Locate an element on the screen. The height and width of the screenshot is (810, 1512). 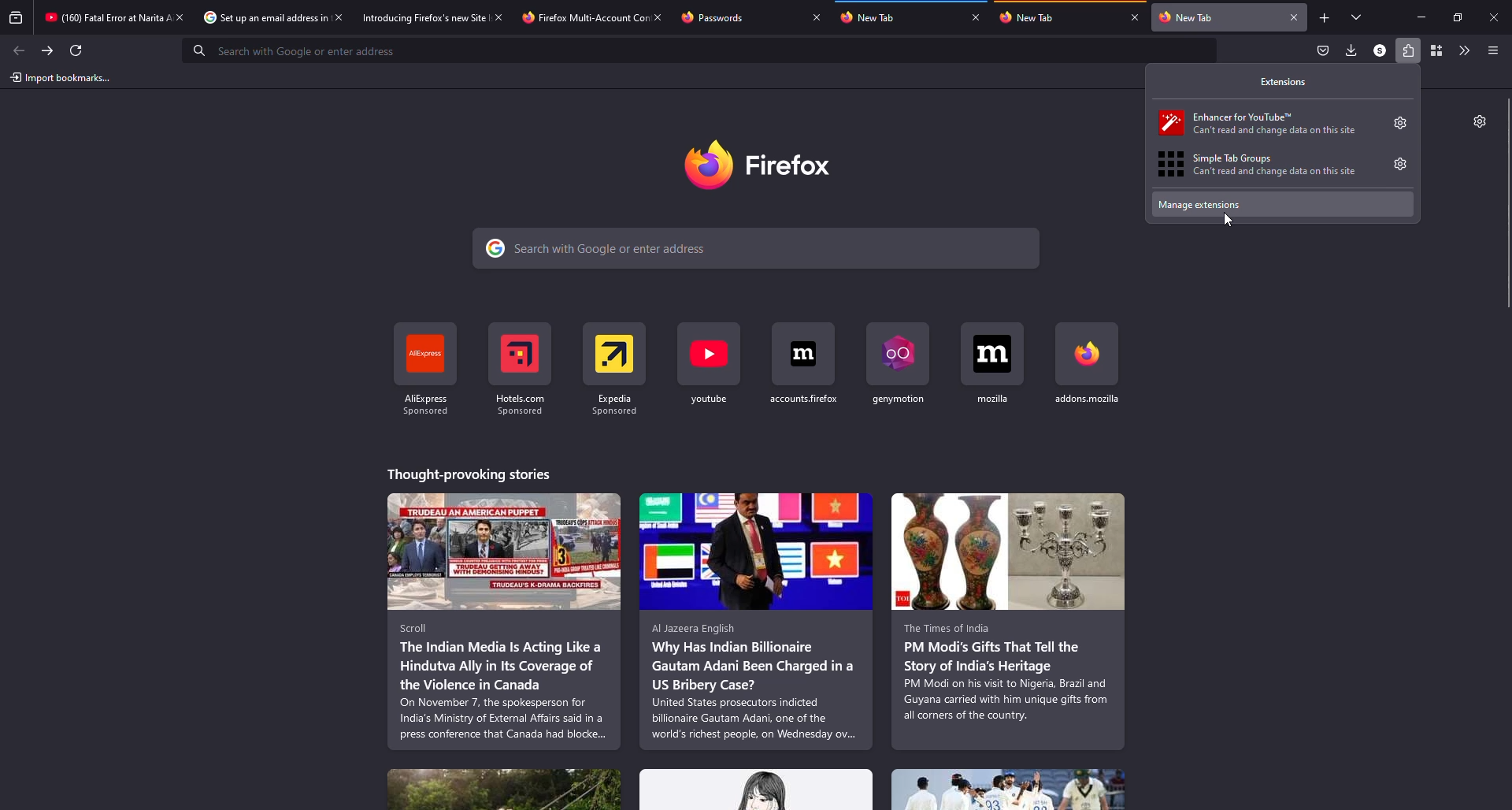
extensions is located at coordinates (1406, 50).